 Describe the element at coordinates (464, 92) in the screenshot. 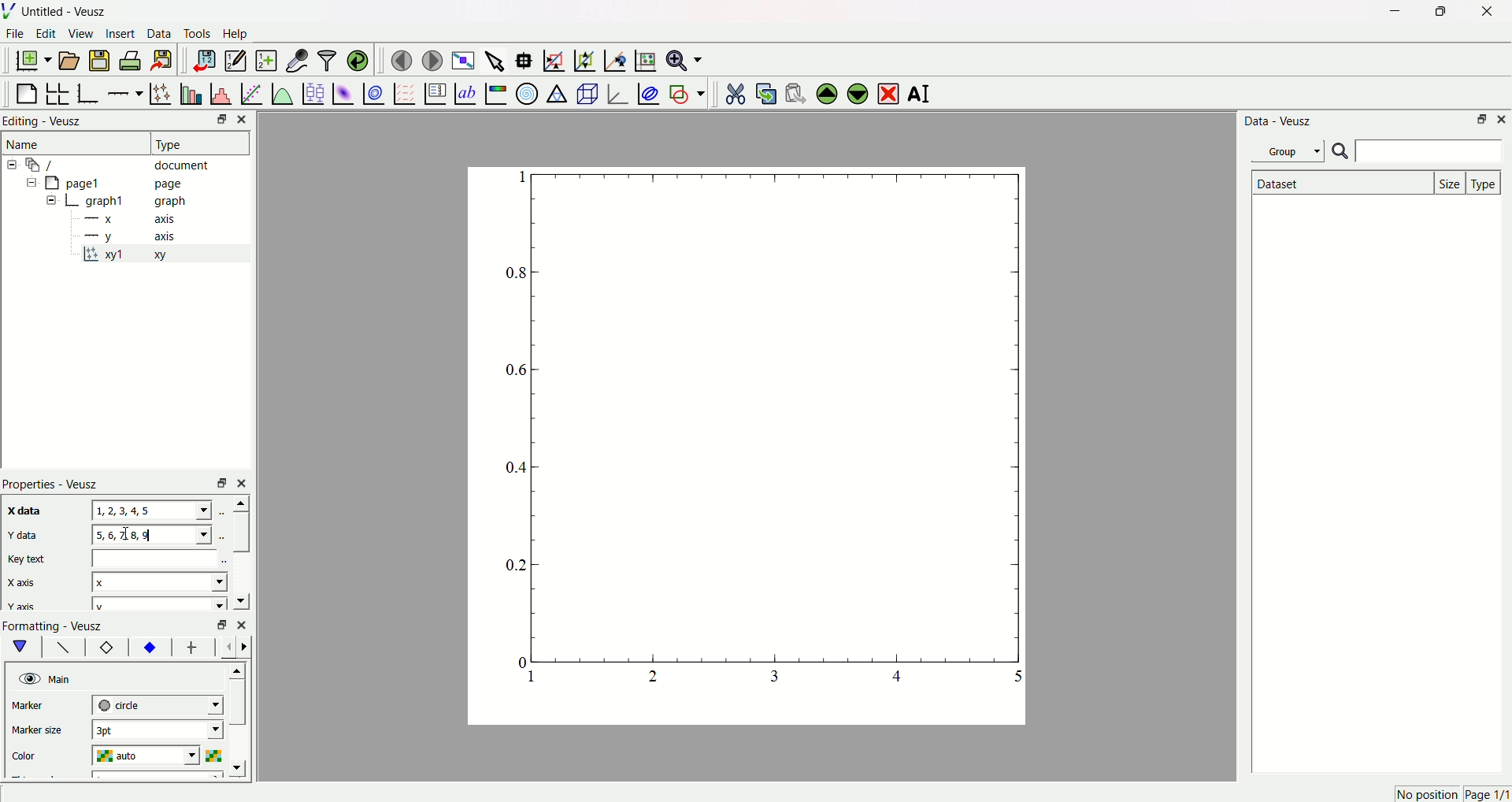

I see `text label` at that location.